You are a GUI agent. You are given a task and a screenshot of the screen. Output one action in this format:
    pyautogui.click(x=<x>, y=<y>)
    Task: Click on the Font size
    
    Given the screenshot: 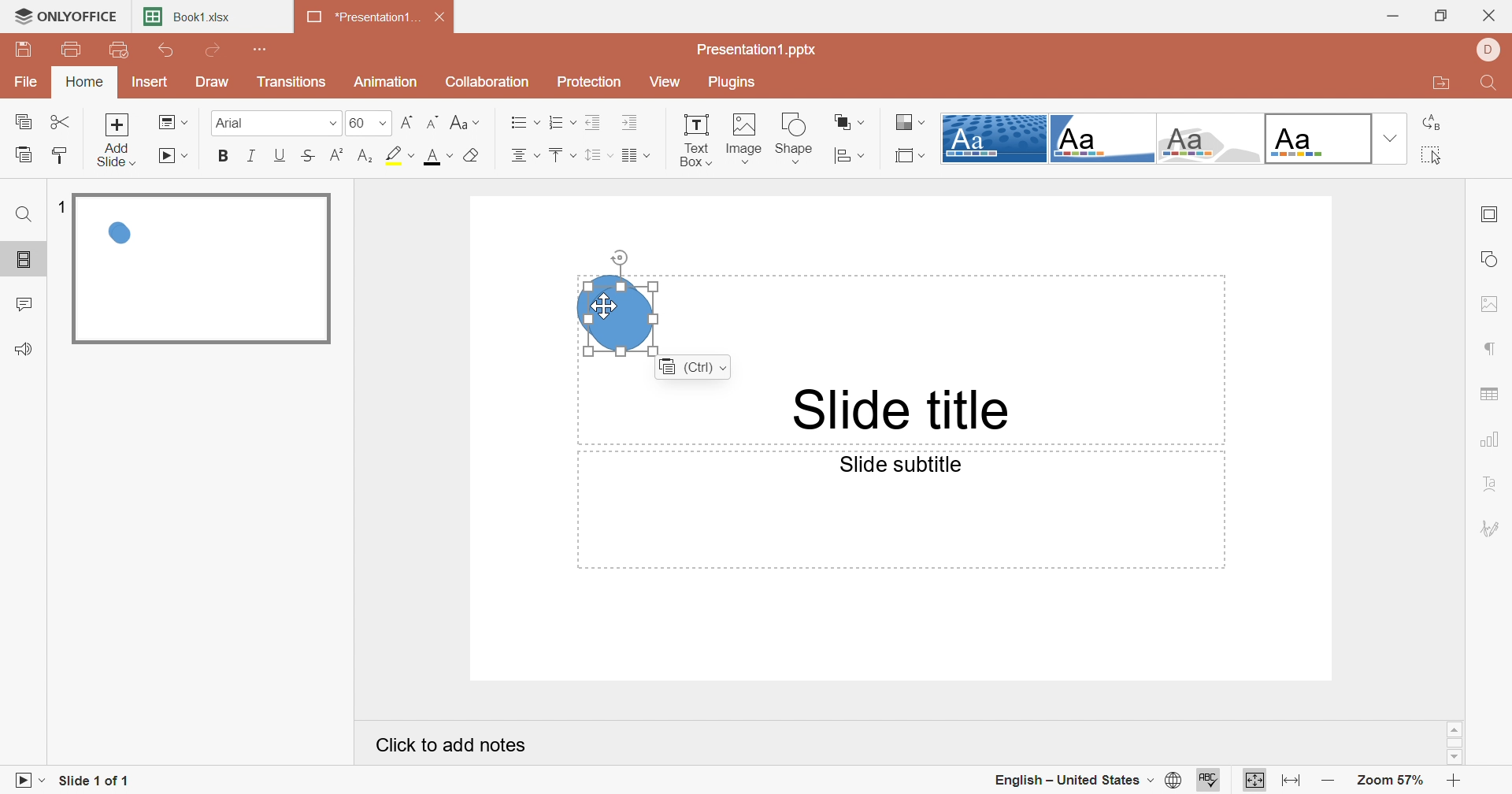 What is the action you would take?
    pyautogui.click(x=369, y=122)
    